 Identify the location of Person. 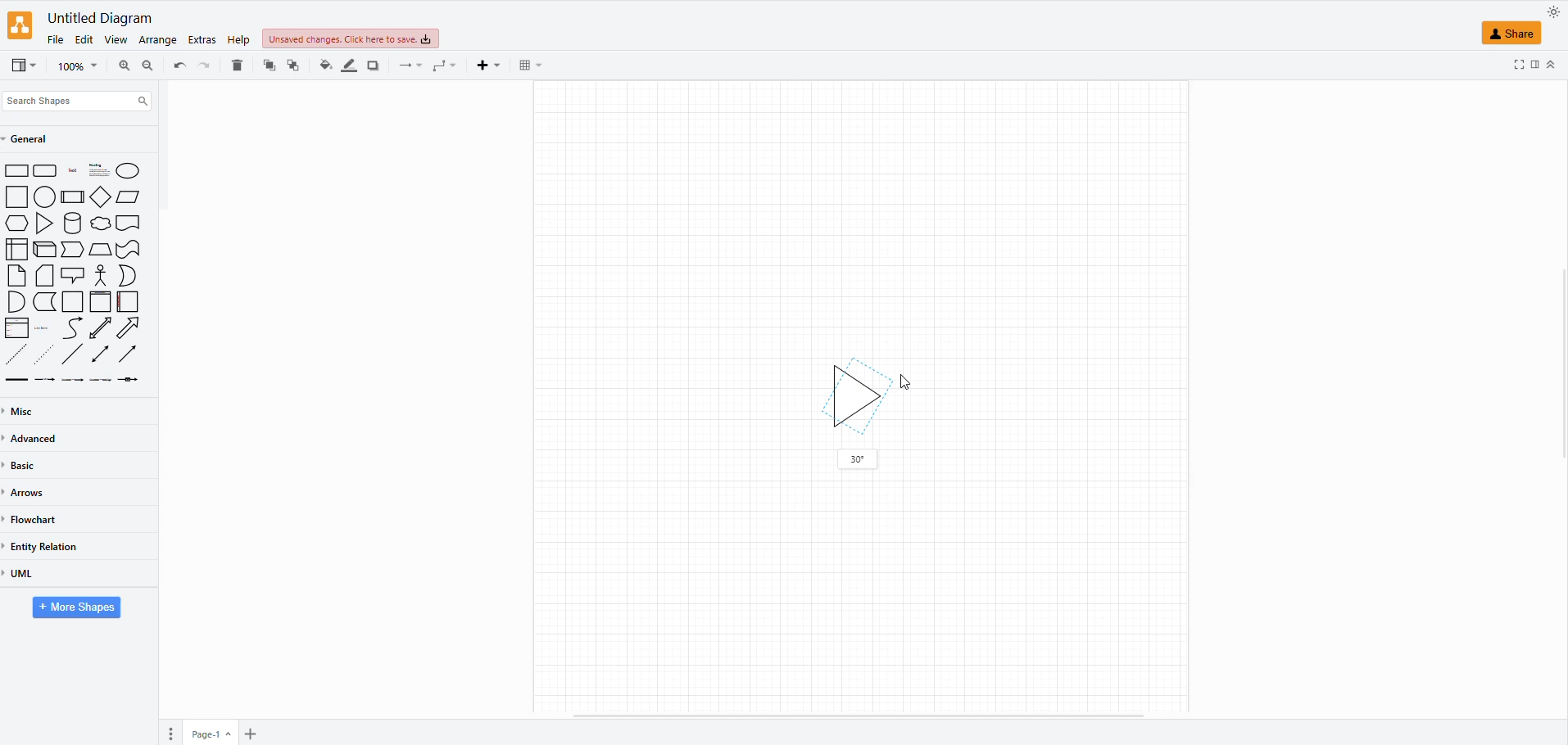
(101, 275).